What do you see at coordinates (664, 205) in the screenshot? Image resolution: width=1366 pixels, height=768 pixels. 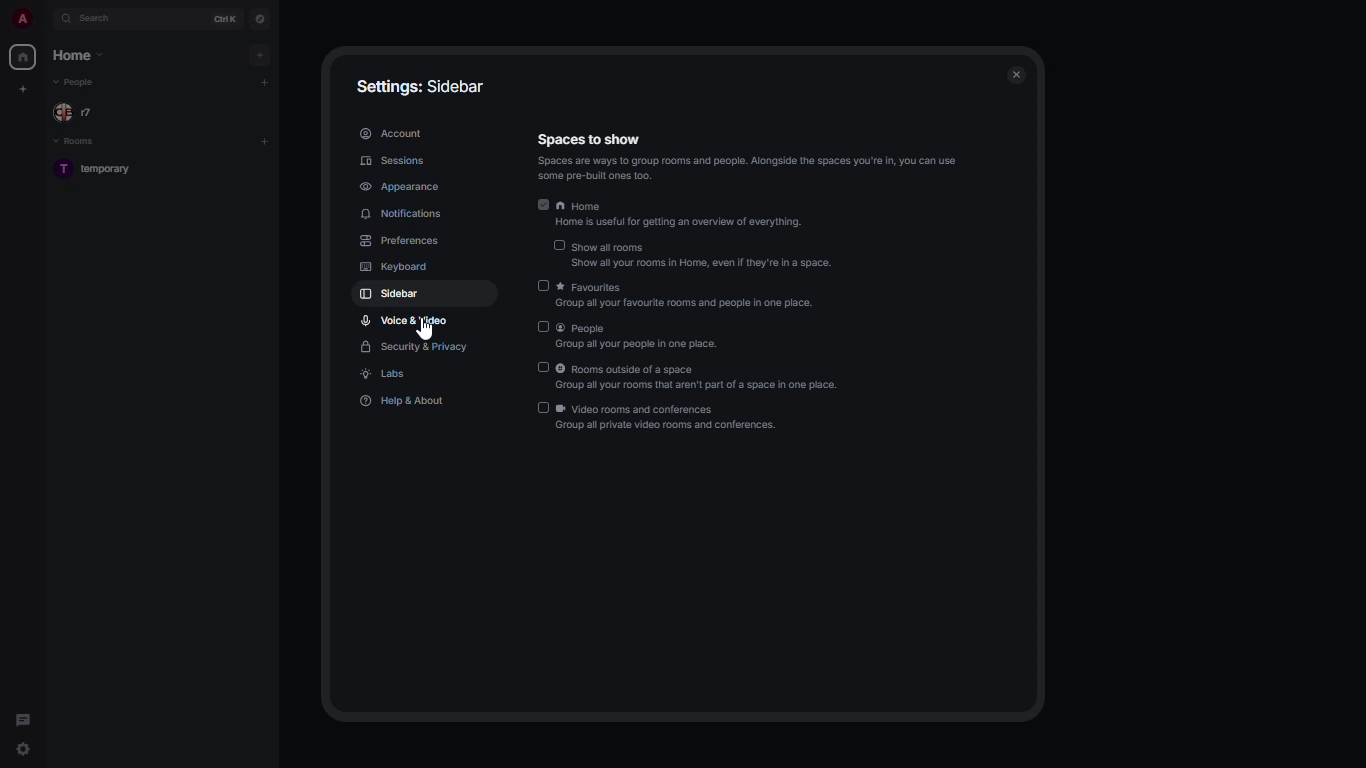 I see `home` at bounding box center [664, 205].